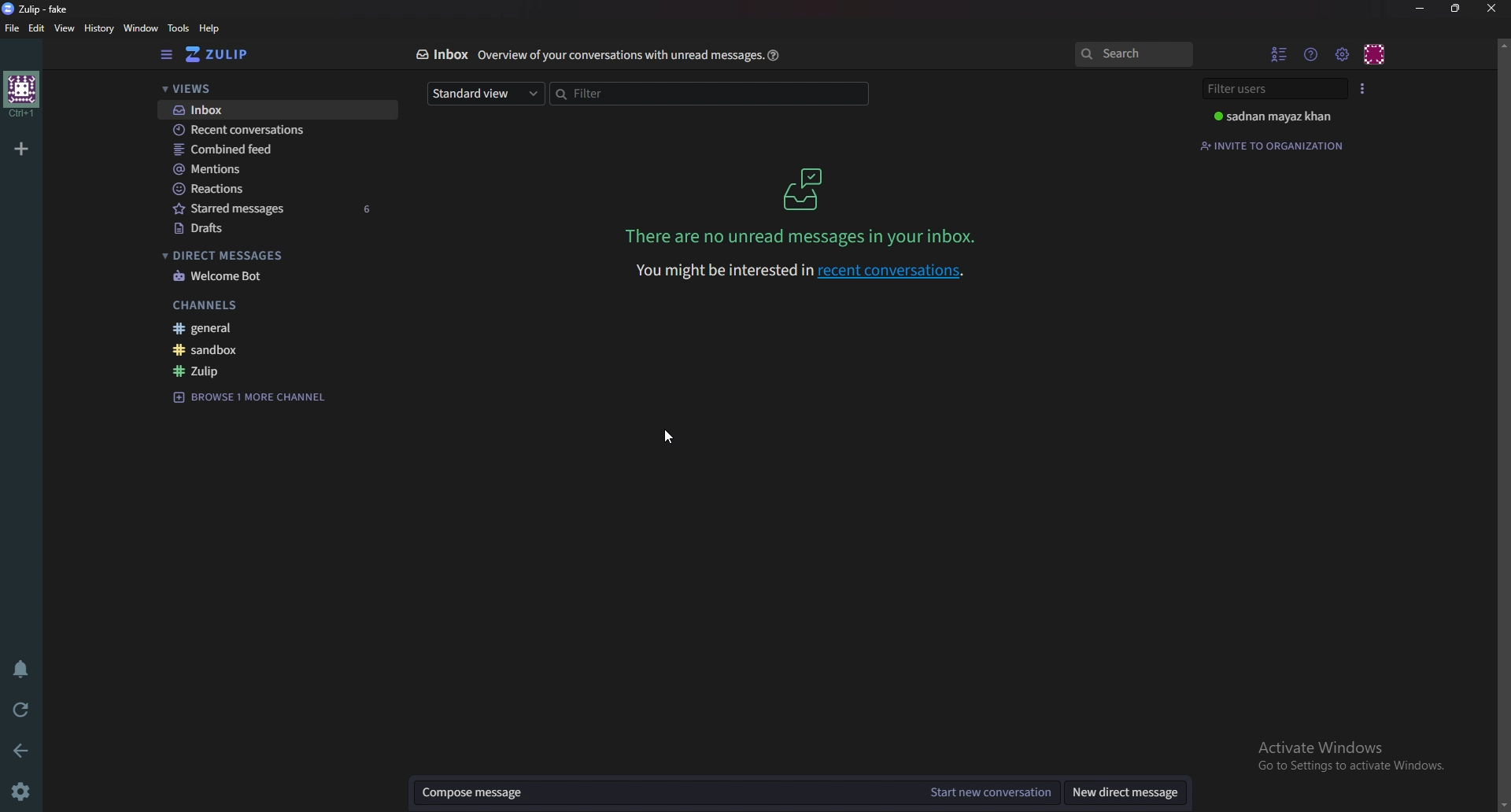 This screenshot has height=812, width=1511. Describe the element at coordinates (1341, 54) in the screenshot. I see `Main menu` at that location.